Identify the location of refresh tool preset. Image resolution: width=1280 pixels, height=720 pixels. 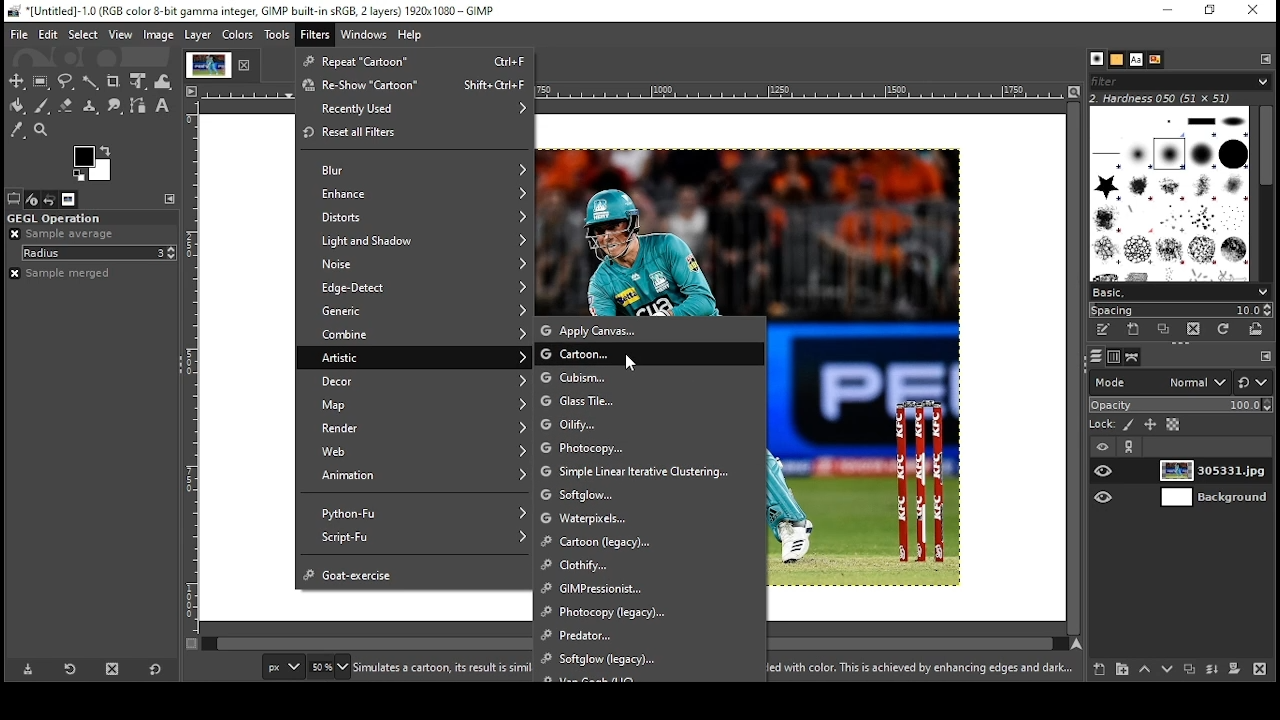
(71, 670).